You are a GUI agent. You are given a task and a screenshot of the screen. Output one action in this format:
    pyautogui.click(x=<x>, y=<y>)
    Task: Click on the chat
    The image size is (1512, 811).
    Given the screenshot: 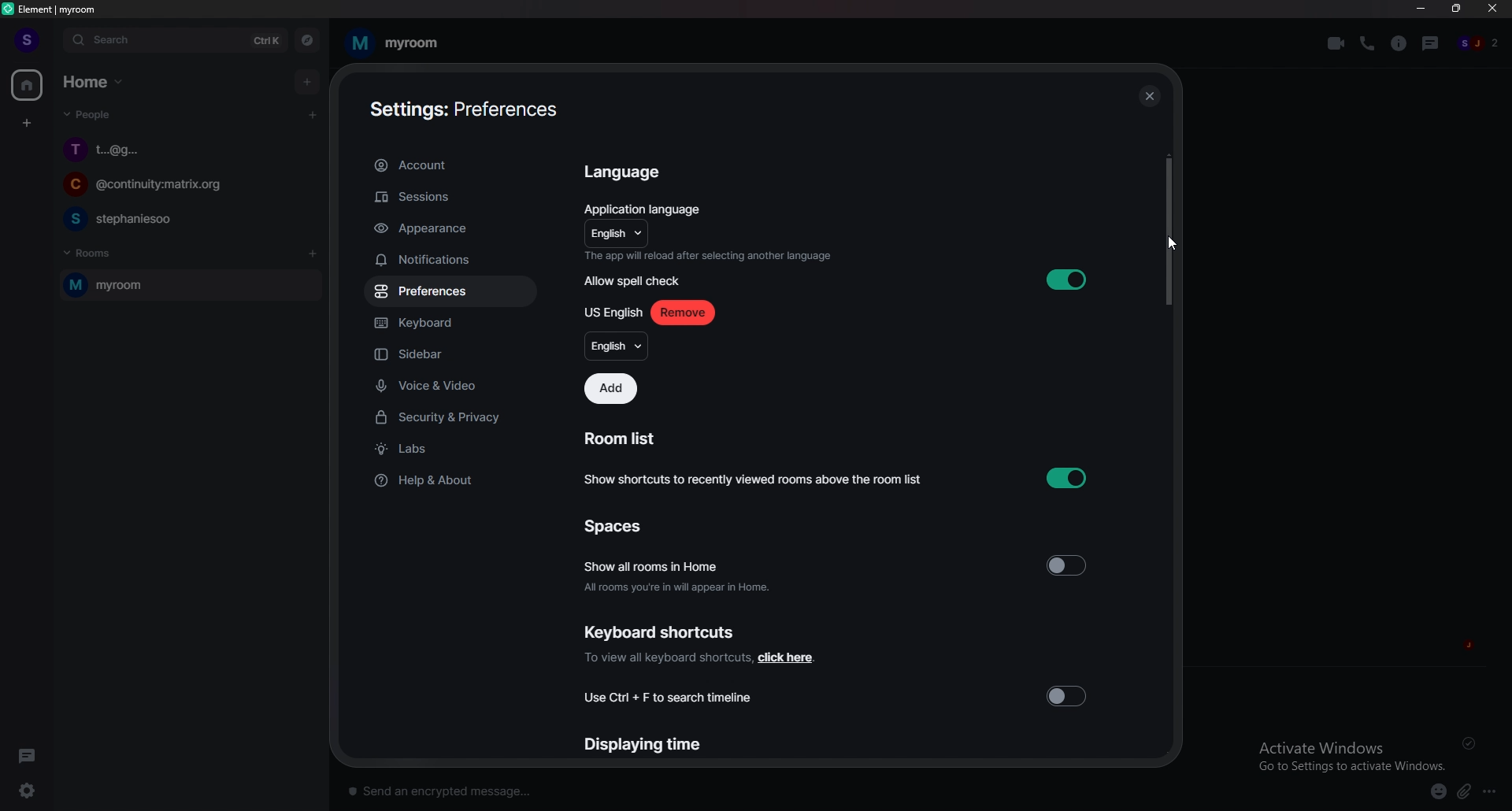 What is the action you would take?
    pyautogui.click(x=184, y=187)
    